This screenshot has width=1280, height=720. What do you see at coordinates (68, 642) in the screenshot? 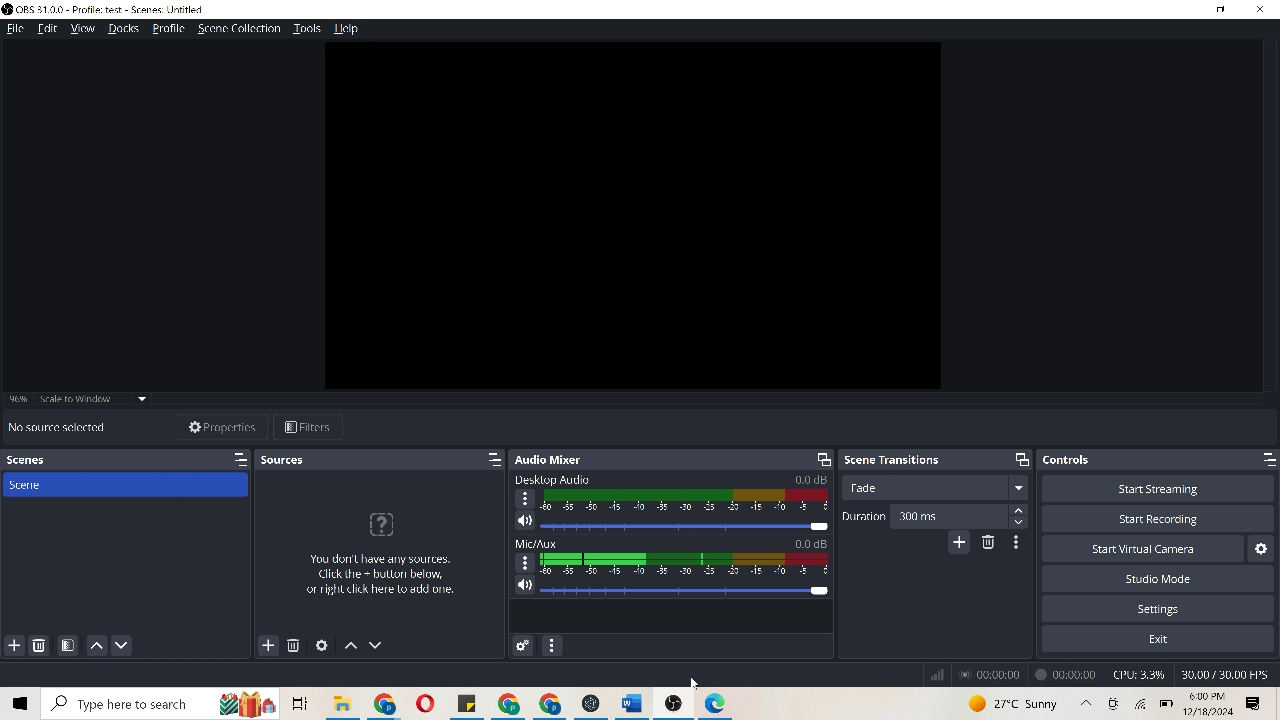
I see `open scene filters` at bounding box center [68, 642].